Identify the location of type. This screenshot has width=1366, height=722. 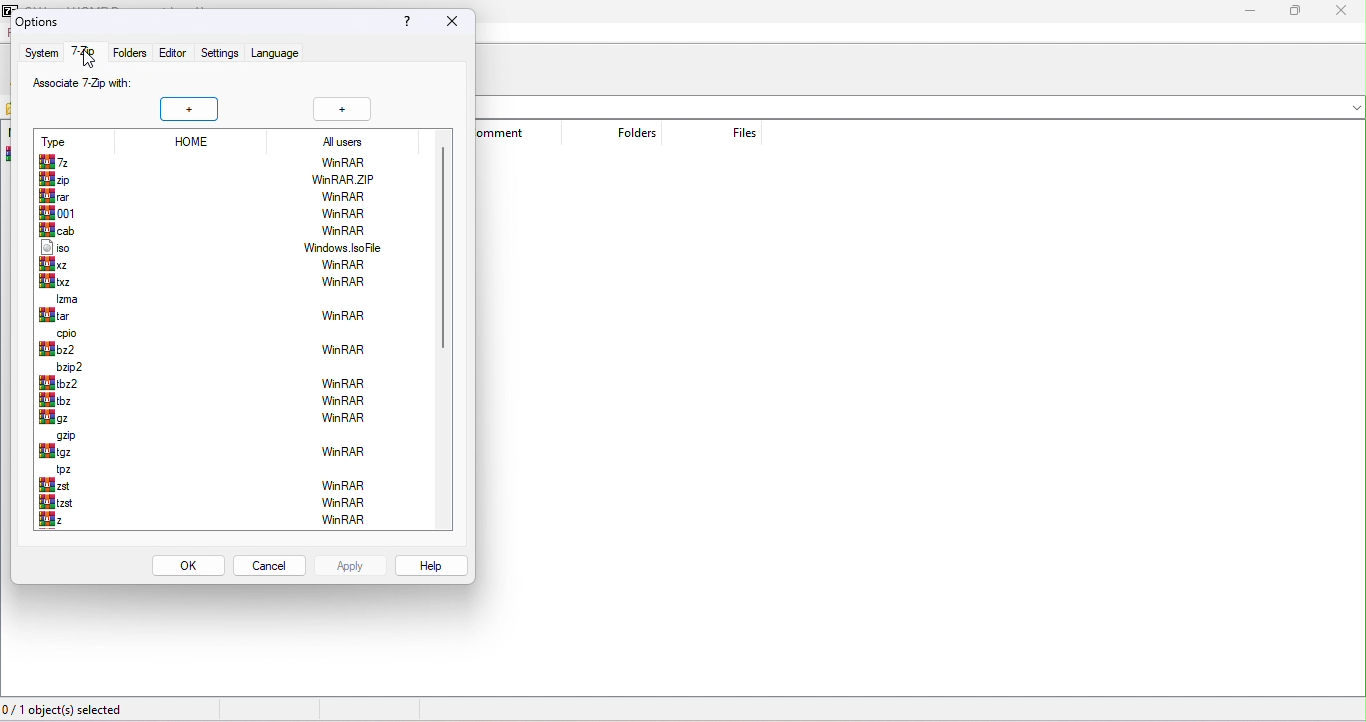
(62, 138).